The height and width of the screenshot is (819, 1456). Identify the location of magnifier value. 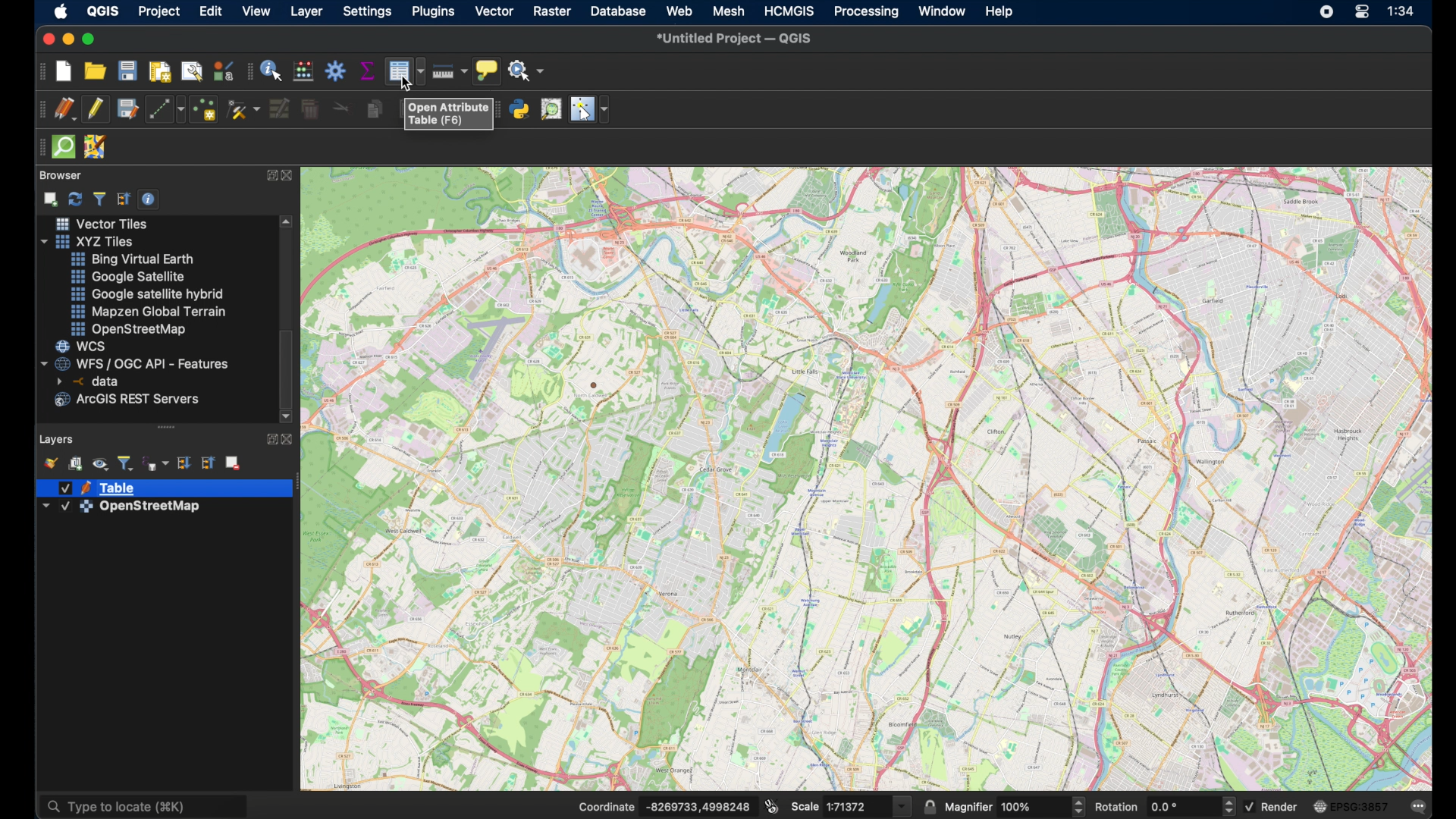
(1033, 805).